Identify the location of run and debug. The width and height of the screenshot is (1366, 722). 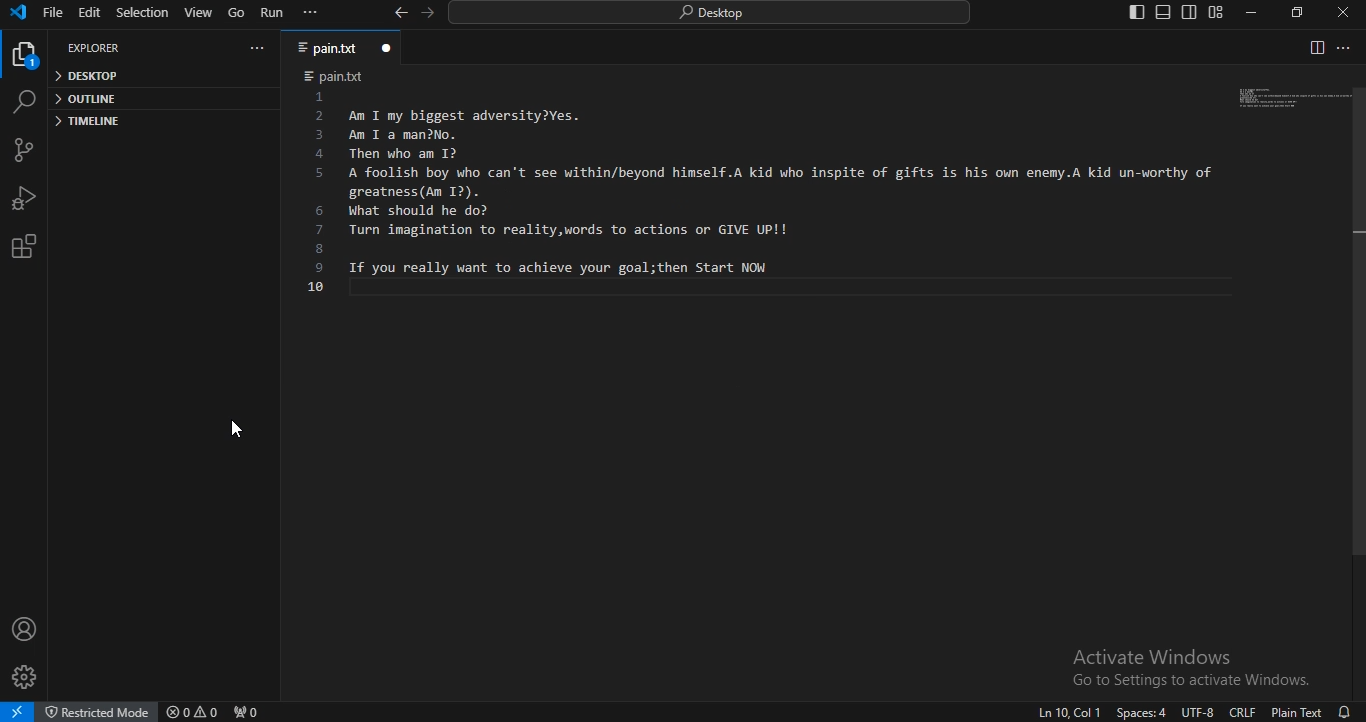
(22, 195).